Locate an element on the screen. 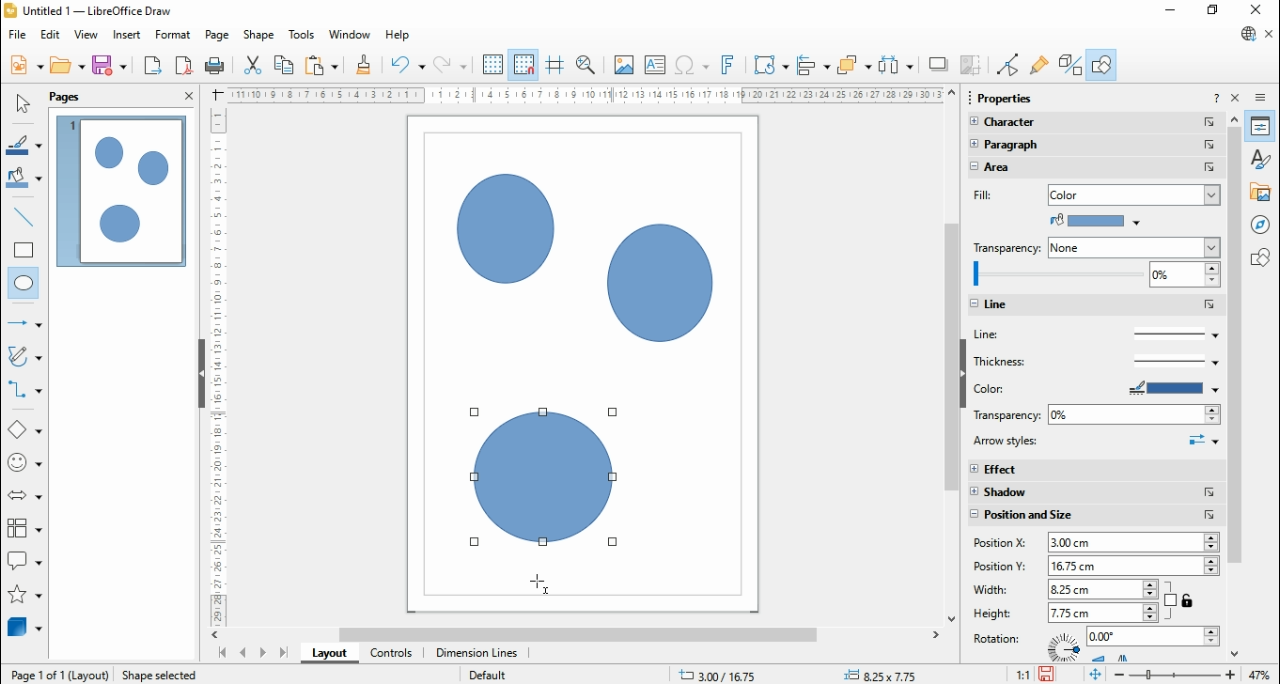  character is located at coordinates (1092, 123).